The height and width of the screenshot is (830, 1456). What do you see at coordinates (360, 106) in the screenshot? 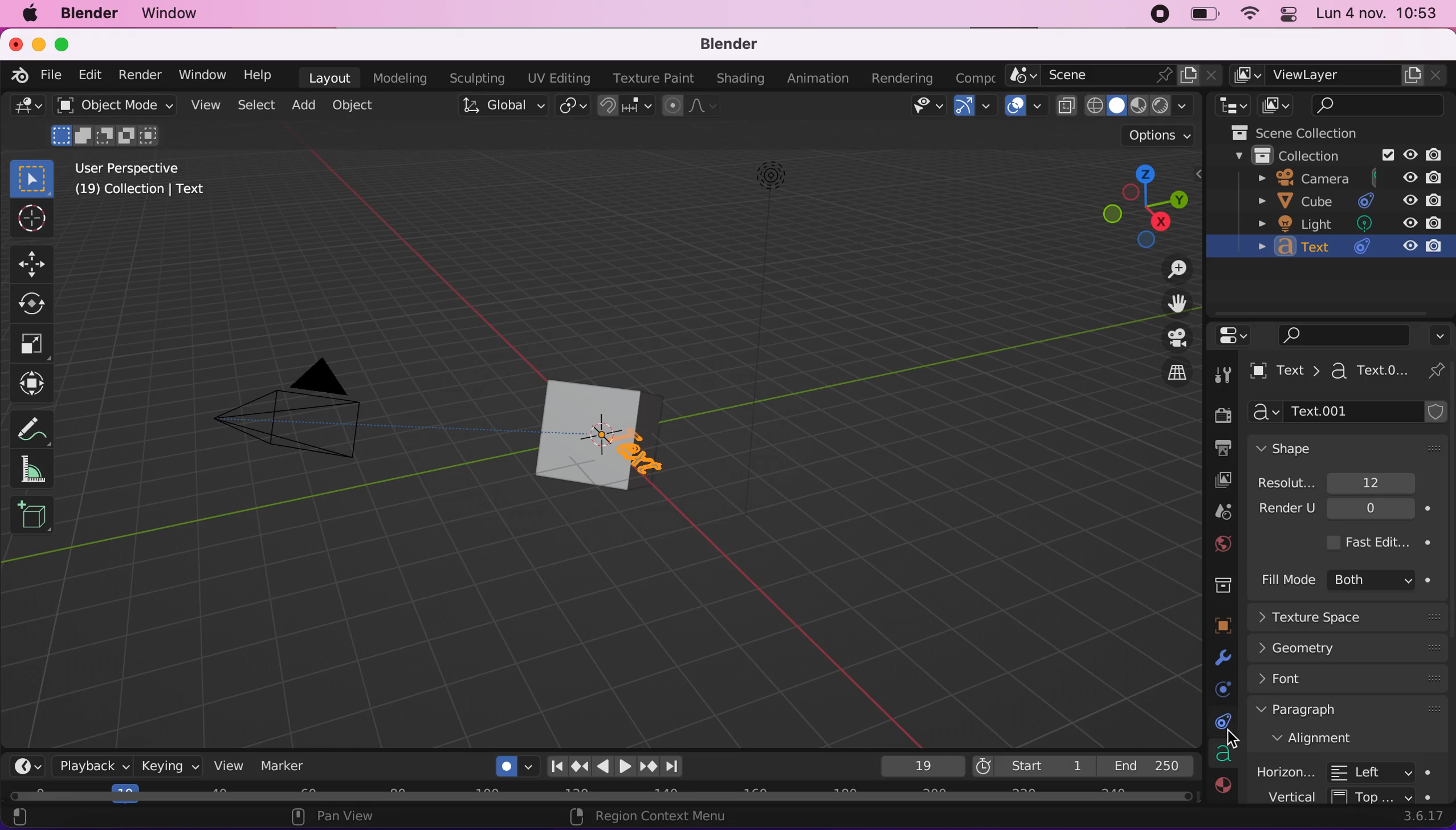
I see `object` at bounding box center [360, 106].